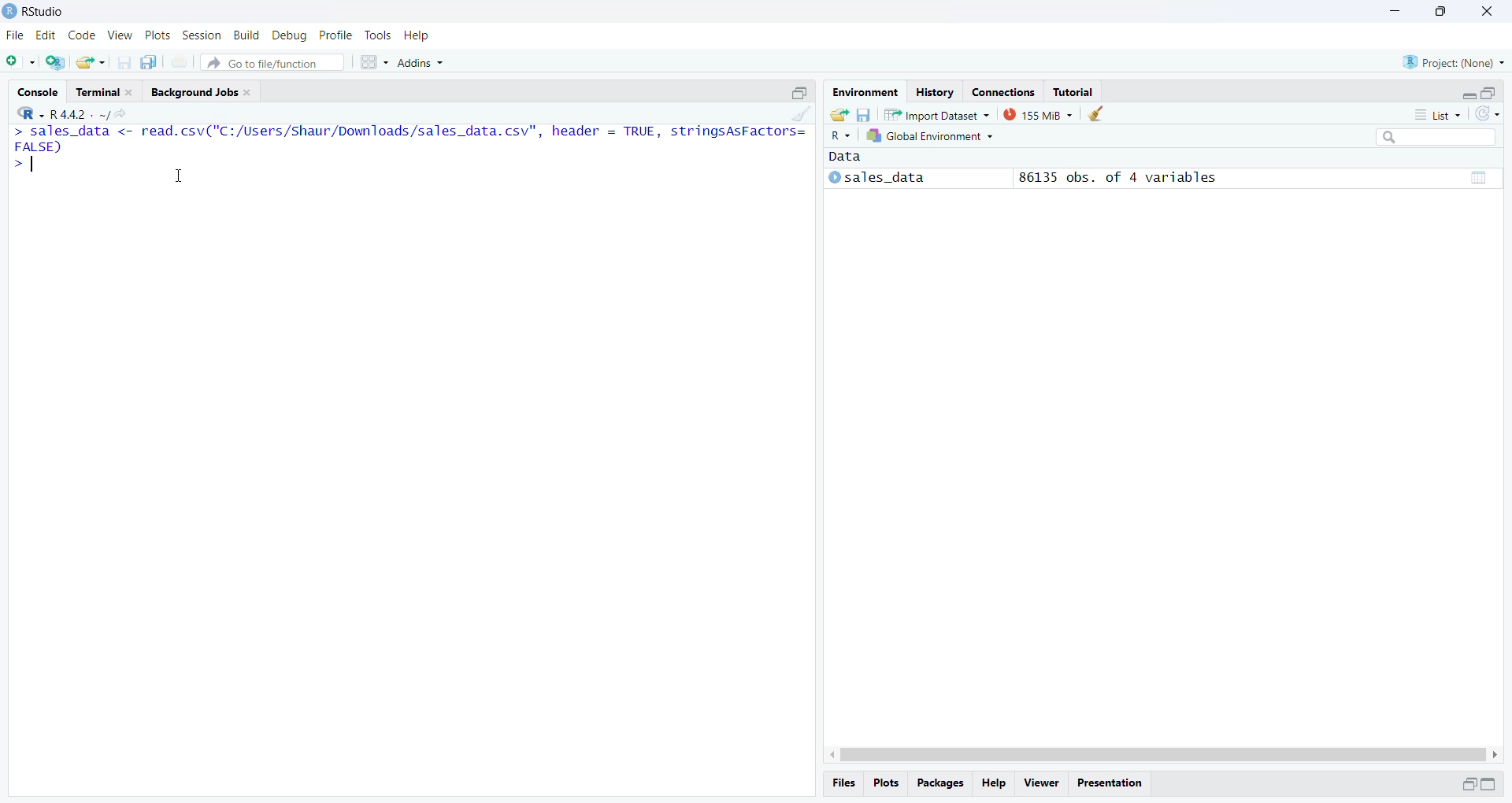 The image size is (1512, 803). Describe the element at coordinates (57, 62) in the screenshot. I see `Create a Project` at that location.